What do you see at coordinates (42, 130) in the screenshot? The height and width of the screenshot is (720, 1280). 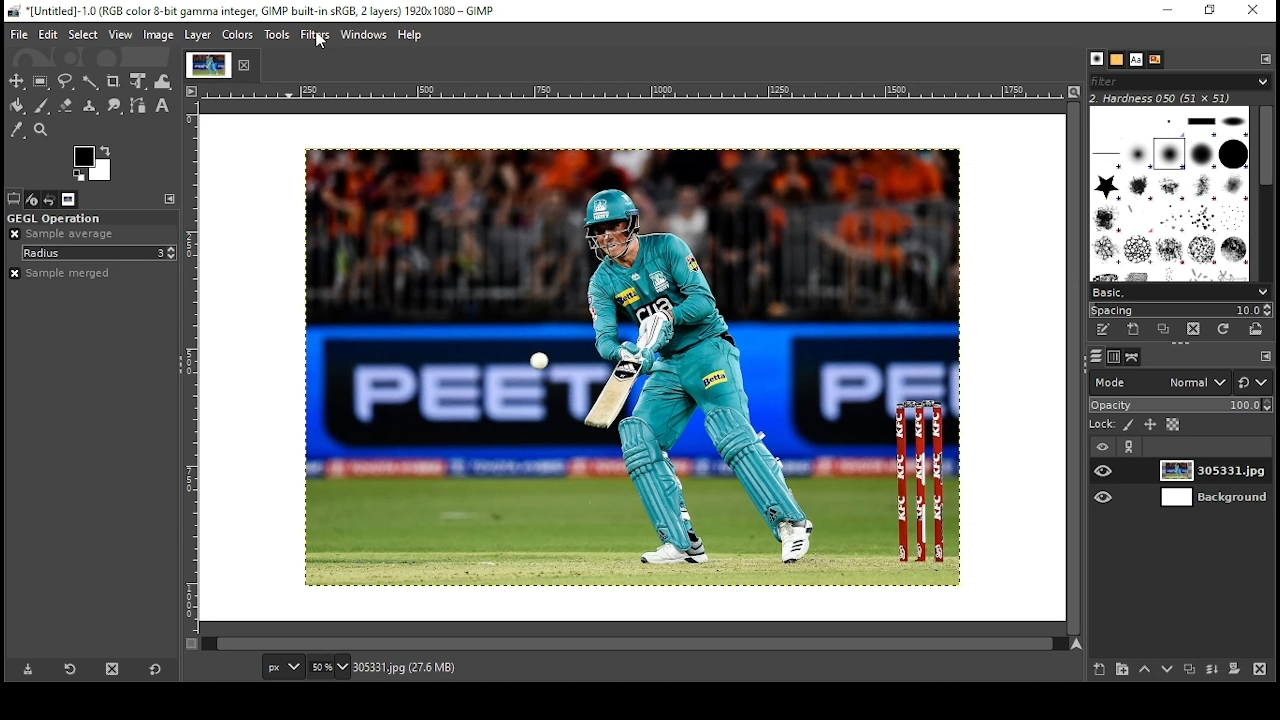 I see `zoom tool` at bounding box center [42, 130].